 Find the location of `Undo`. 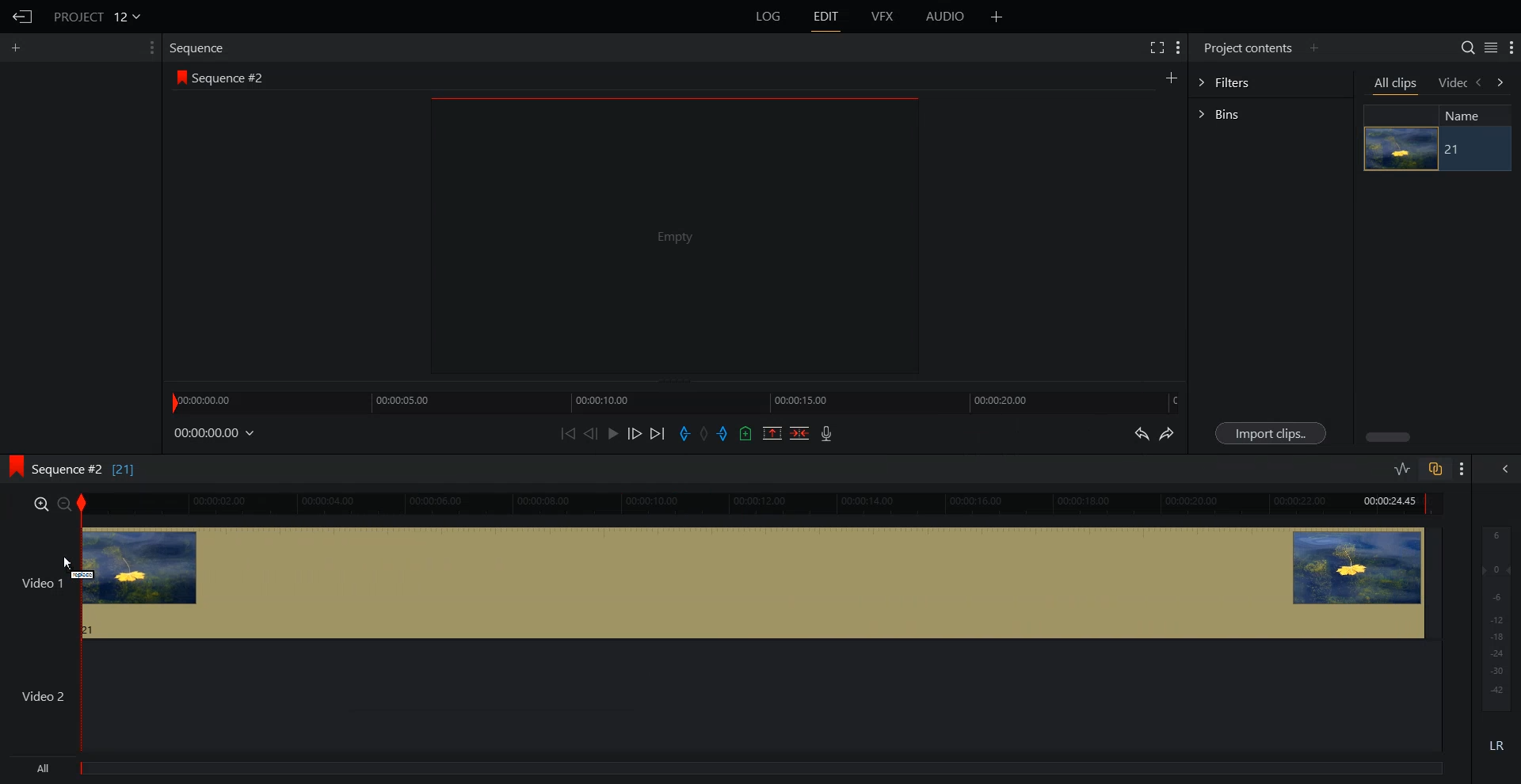

Undo is located at coordinates (1141, 433).